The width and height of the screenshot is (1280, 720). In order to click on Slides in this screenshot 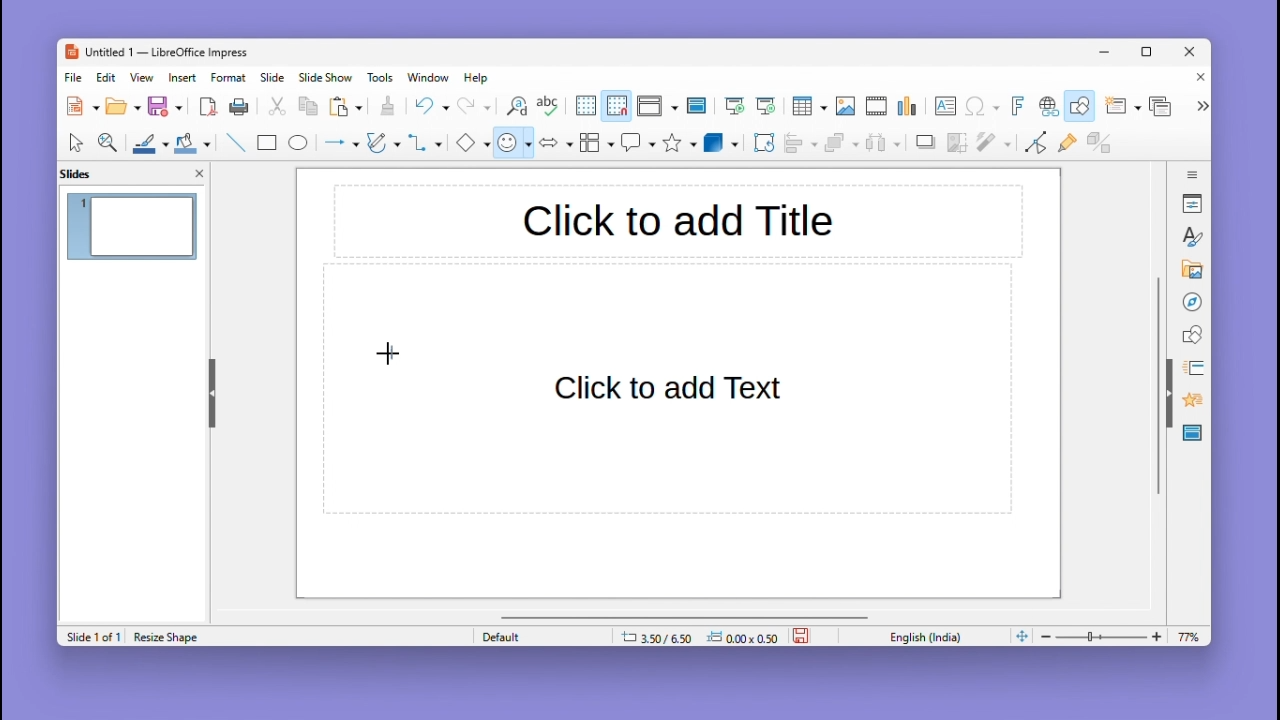, I will do `click(86, 173)`.